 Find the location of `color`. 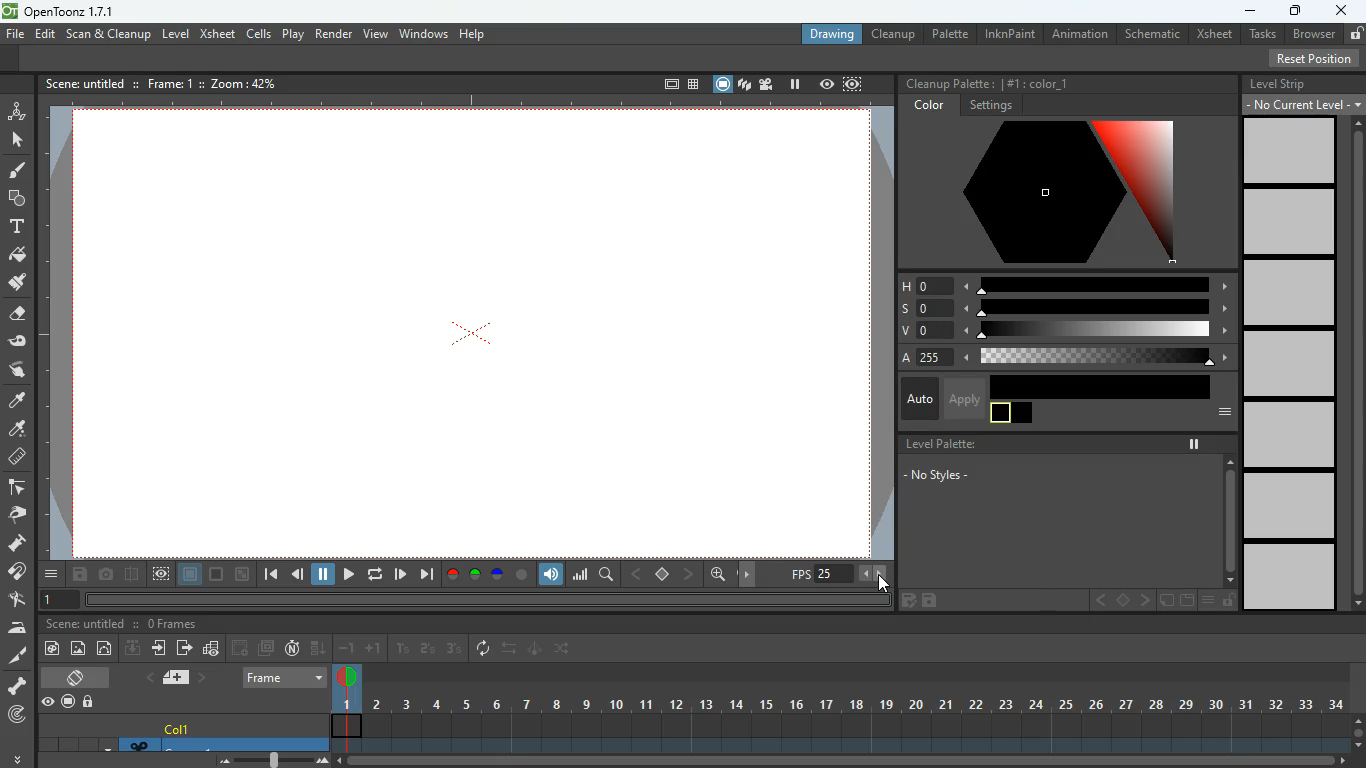

color is located at coordinates (930, 105).